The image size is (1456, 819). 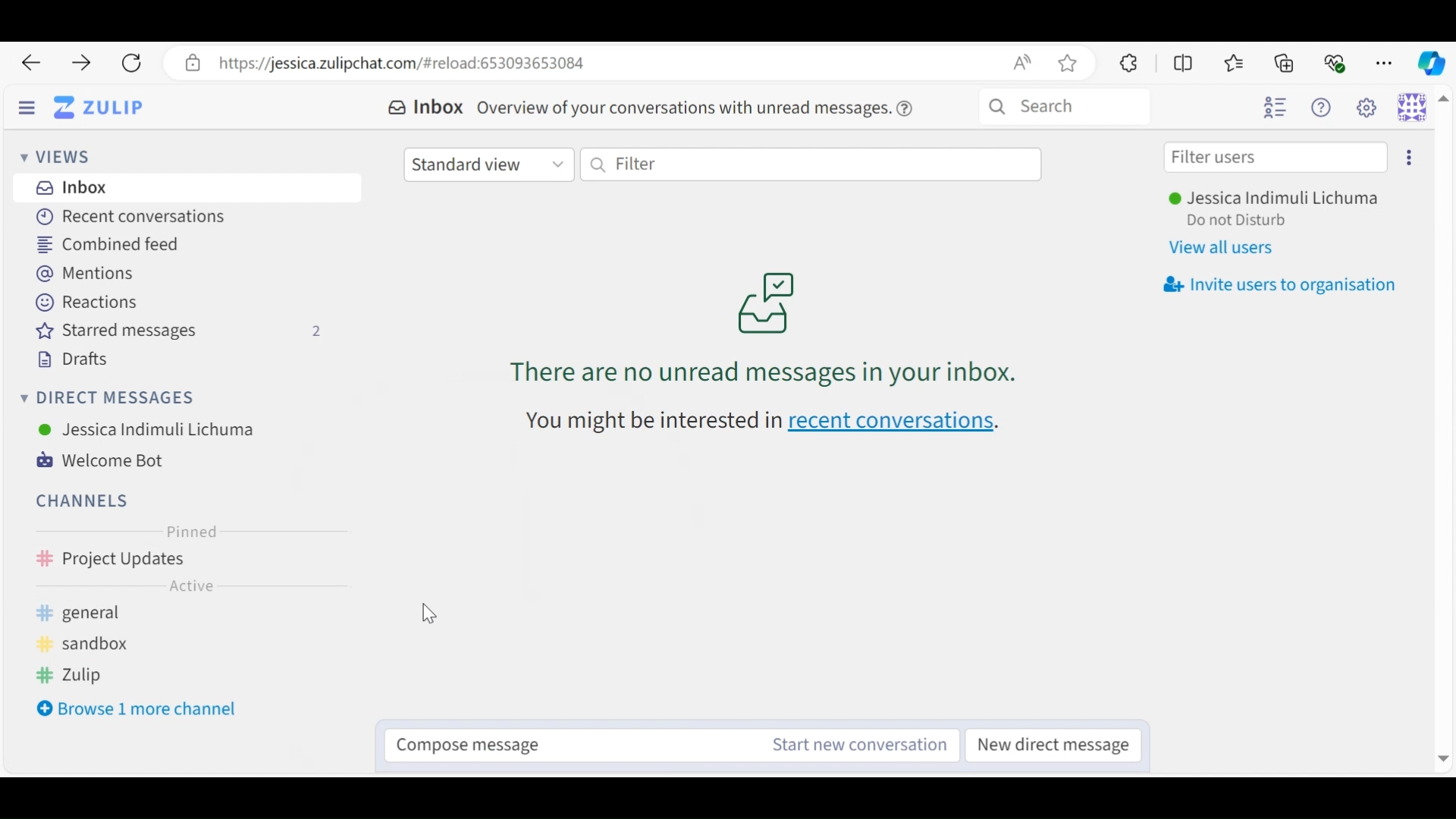 I want to click on overview message, so click(x=697, y=107).